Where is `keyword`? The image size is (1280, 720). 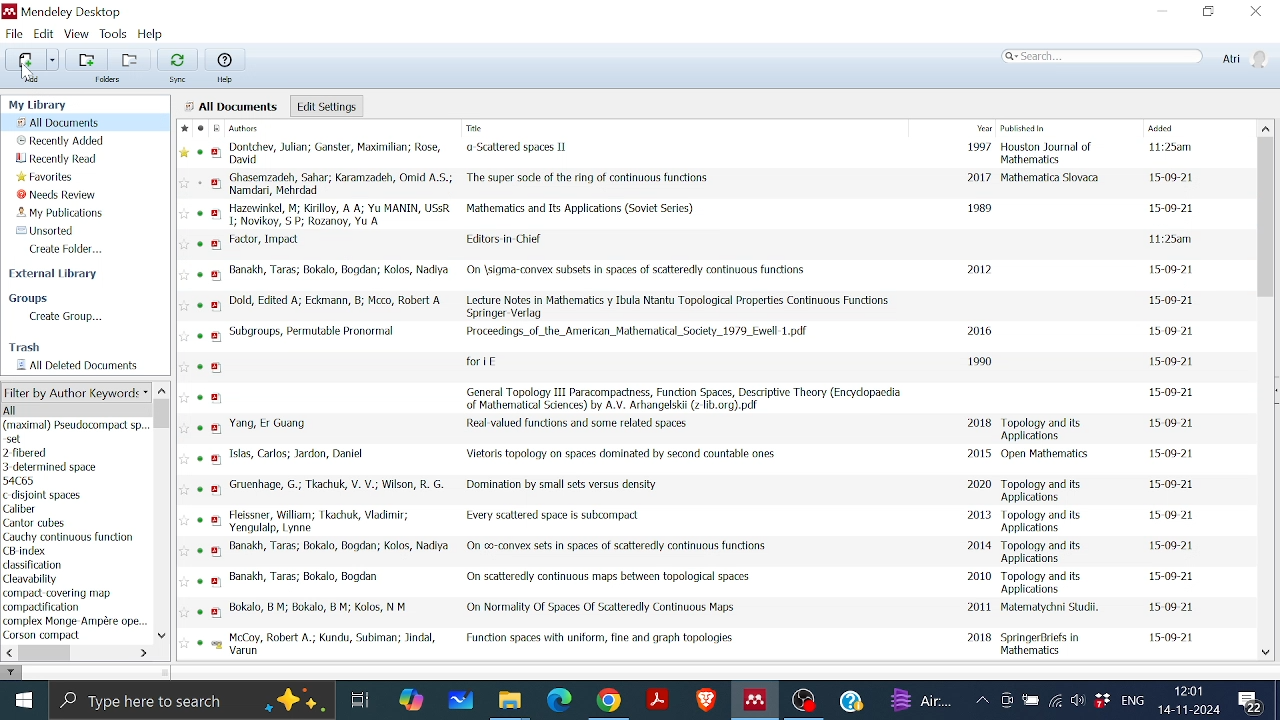
keyword is located at coordinates (61, 593).